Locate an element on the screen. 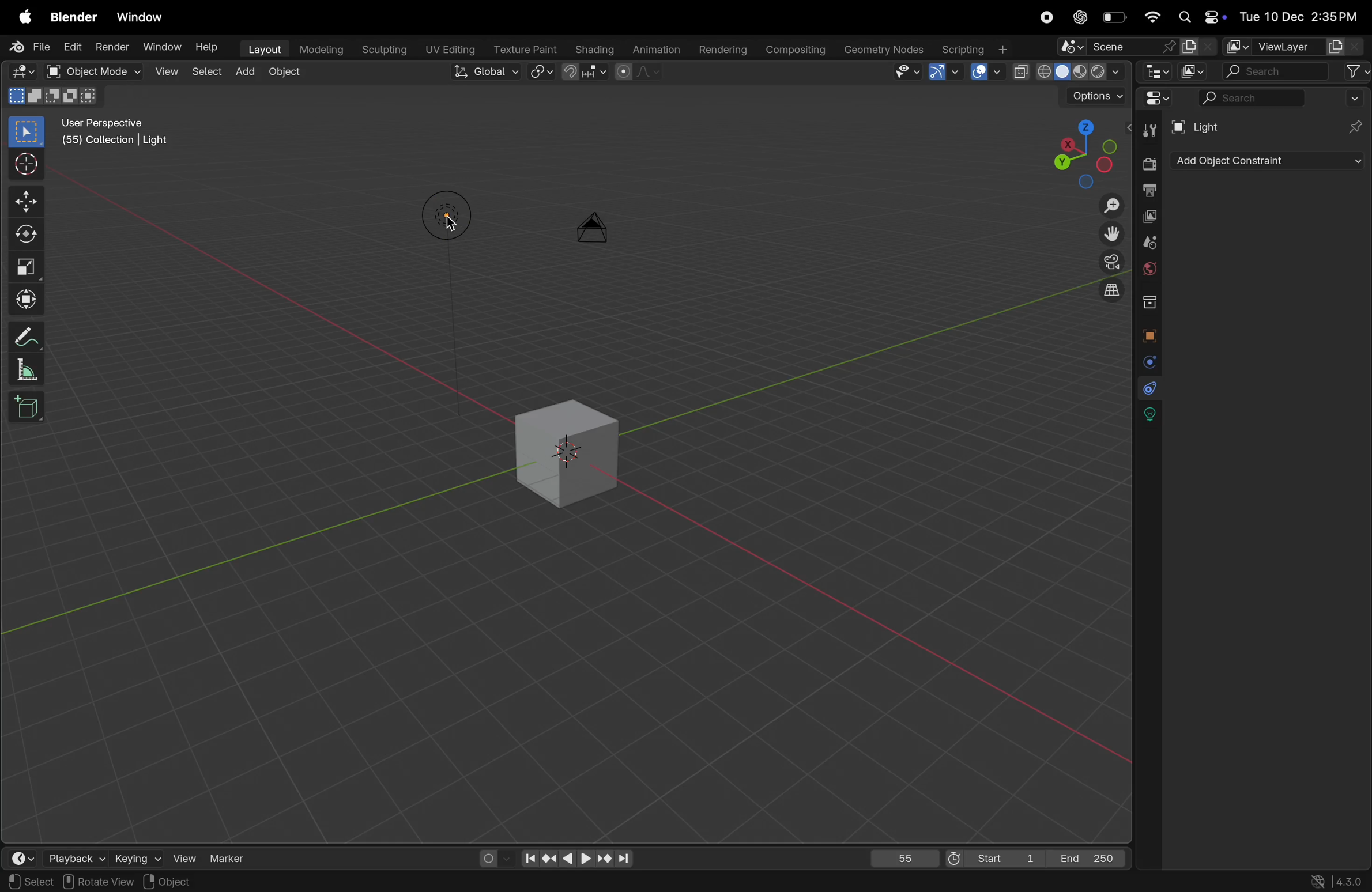 The width and height of the screenshot is (1372, 892). time is located at coordinates (28, 857).